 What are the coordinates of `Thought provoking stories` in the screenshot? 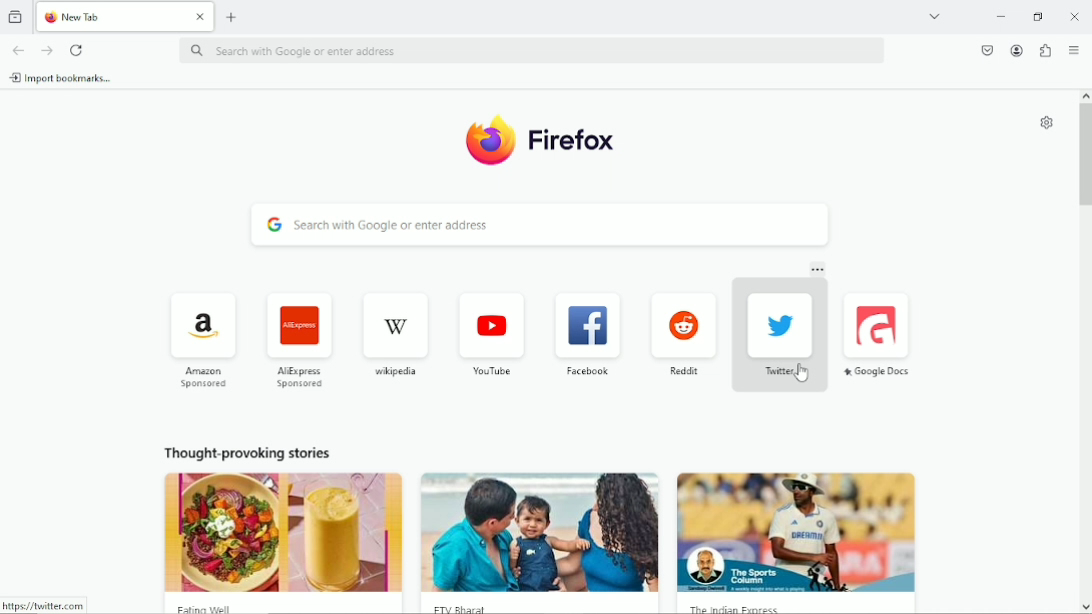 It's located at (534, 523).